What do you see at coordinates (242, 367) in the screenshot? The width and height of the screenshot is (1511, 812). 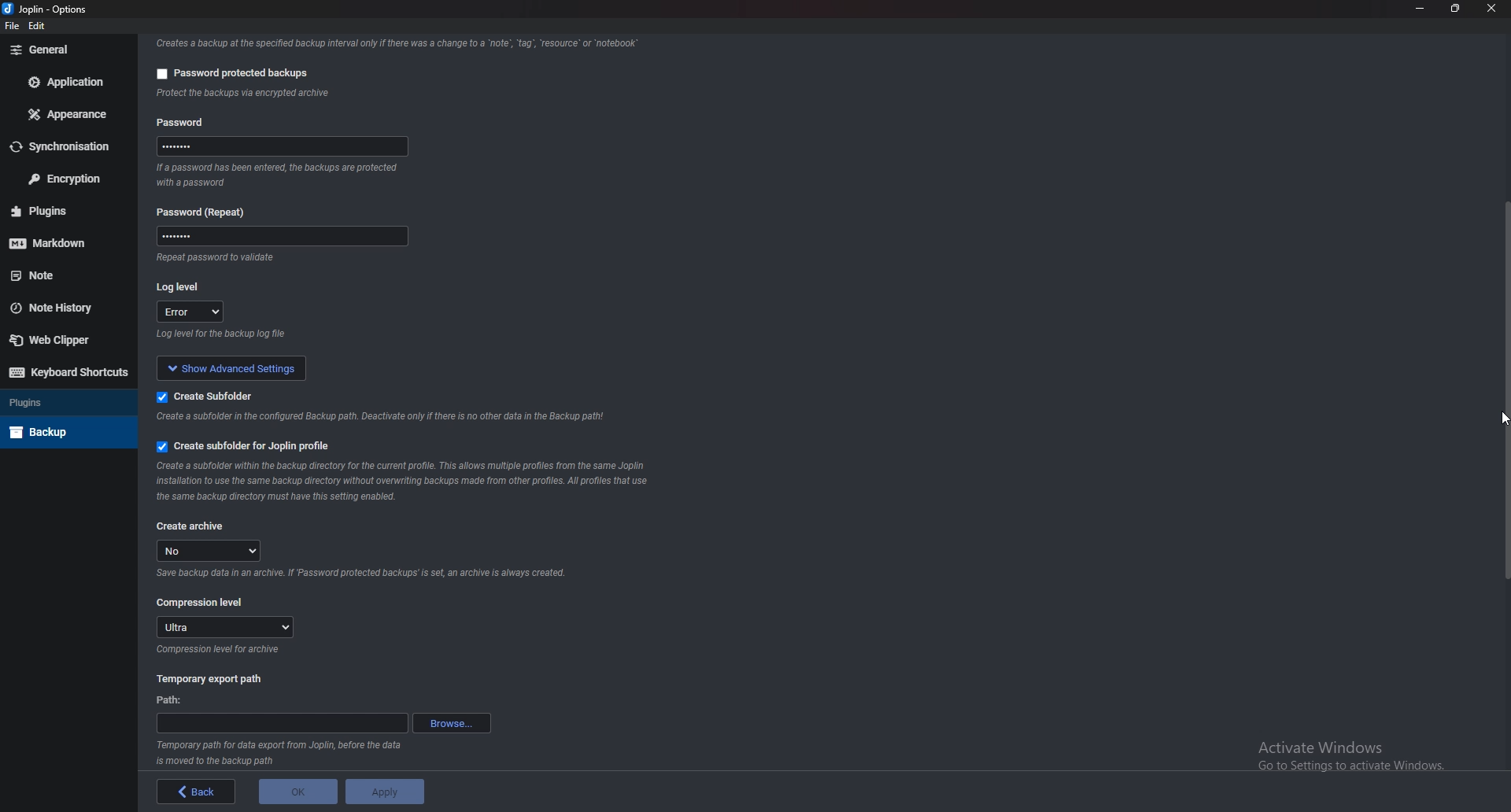 I see `show advanced setting` at bounding box center [242, 367].